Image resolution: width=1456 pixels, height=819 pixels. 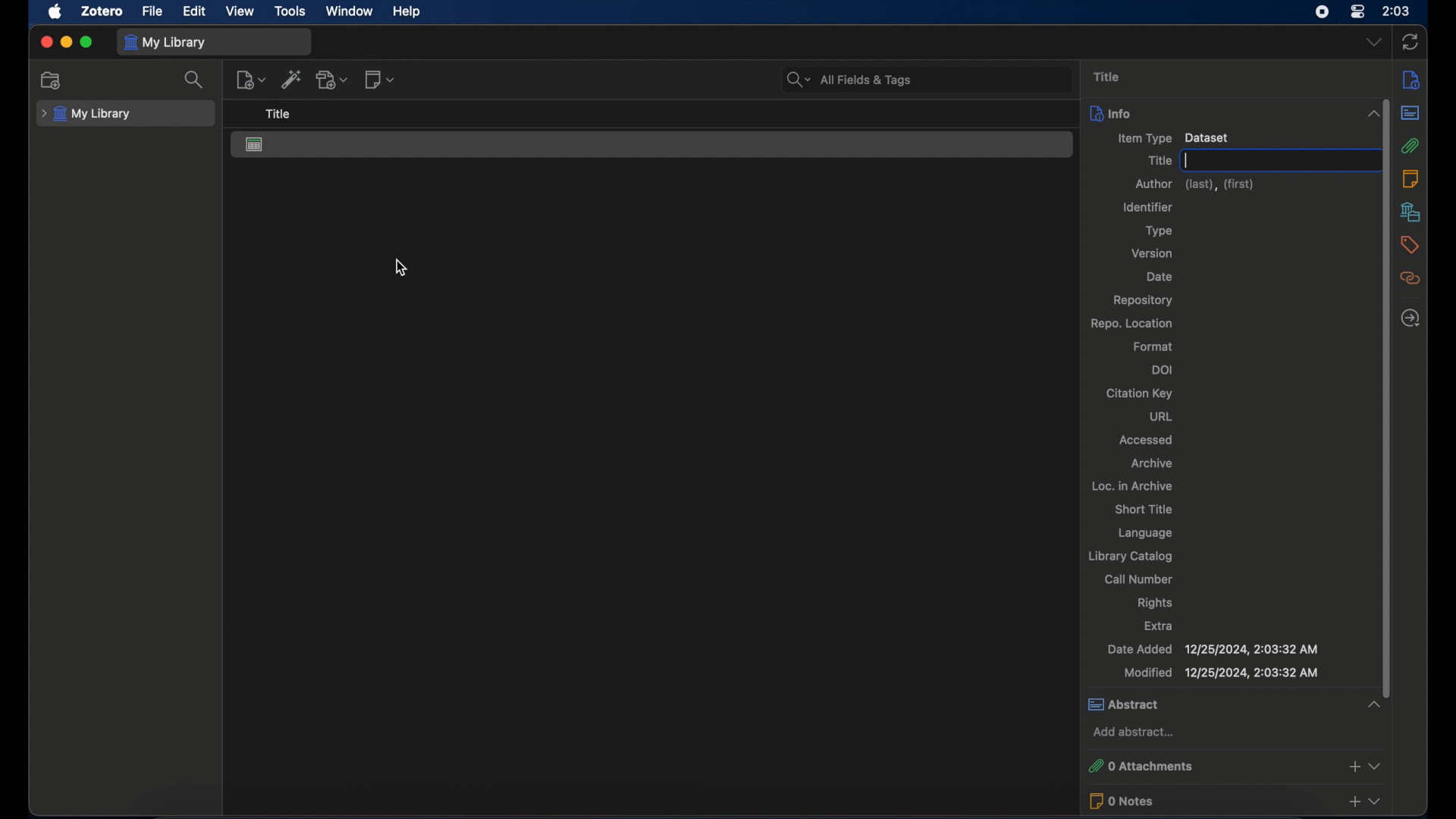 What do you see at coordinates (1146, 440) in the screenshot?
I see `accessed` at bounding box center [1146, 440].